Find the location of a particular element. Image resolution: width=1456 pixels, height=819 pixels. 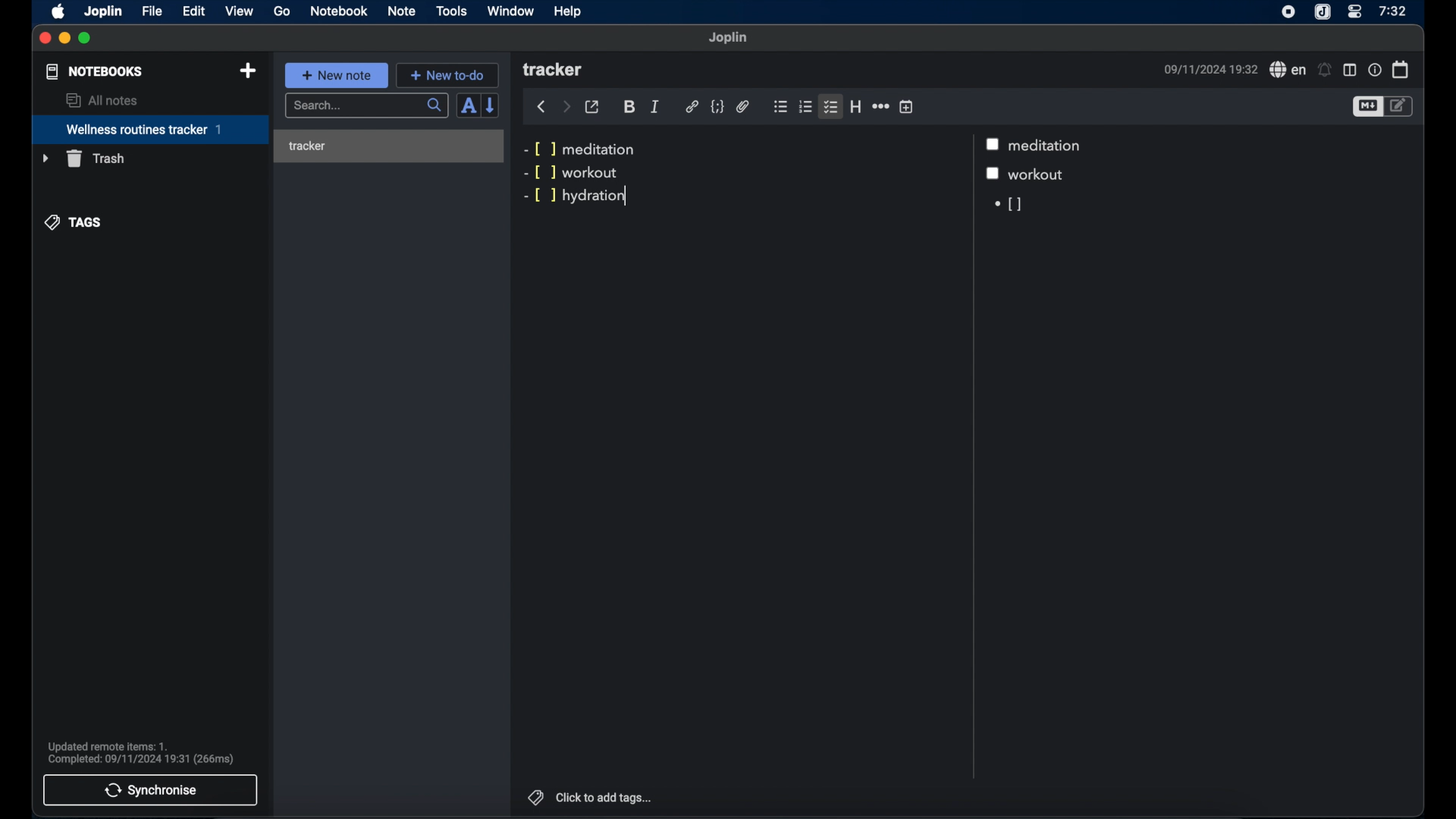

screen recorder is located at coordinates (1288, 11).